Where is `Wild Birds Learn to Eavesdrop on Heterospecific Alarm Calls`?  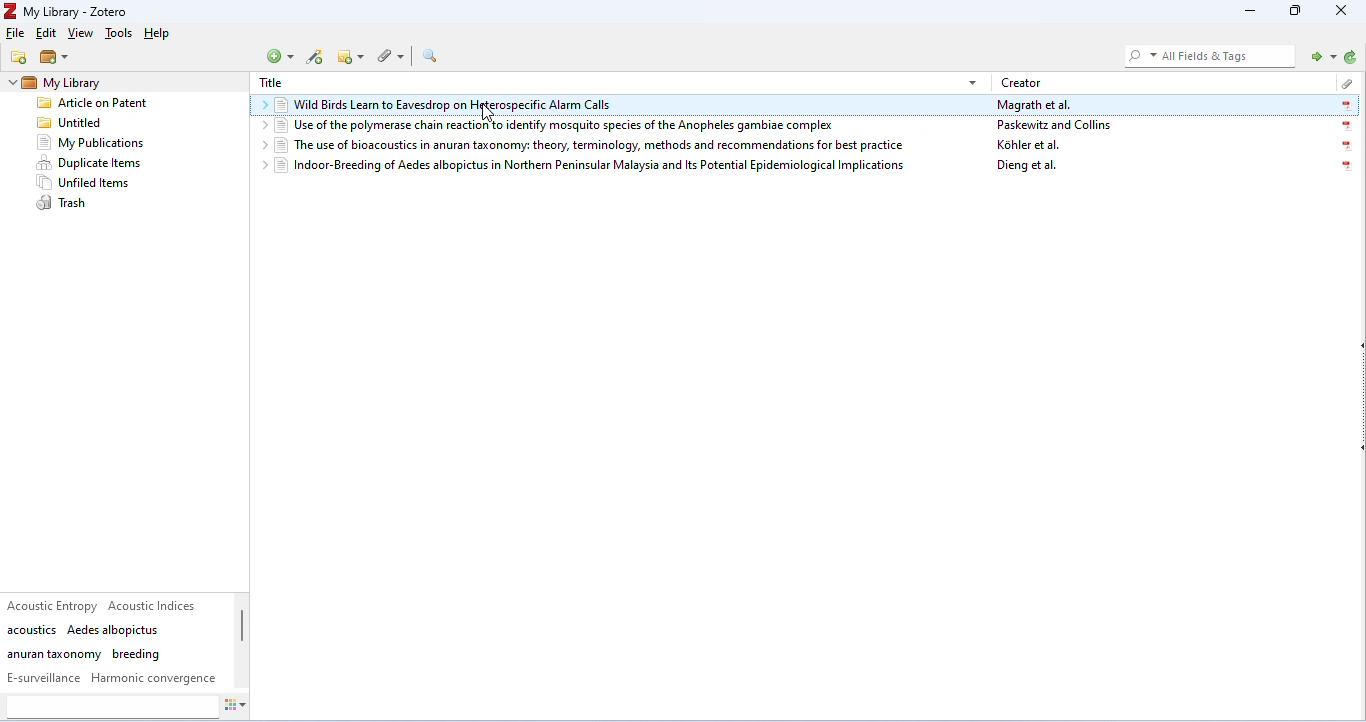
Wild Birds Learn to Eavesdrop on Heterospecific Alarm Calls is located at coordinates (631, 107).